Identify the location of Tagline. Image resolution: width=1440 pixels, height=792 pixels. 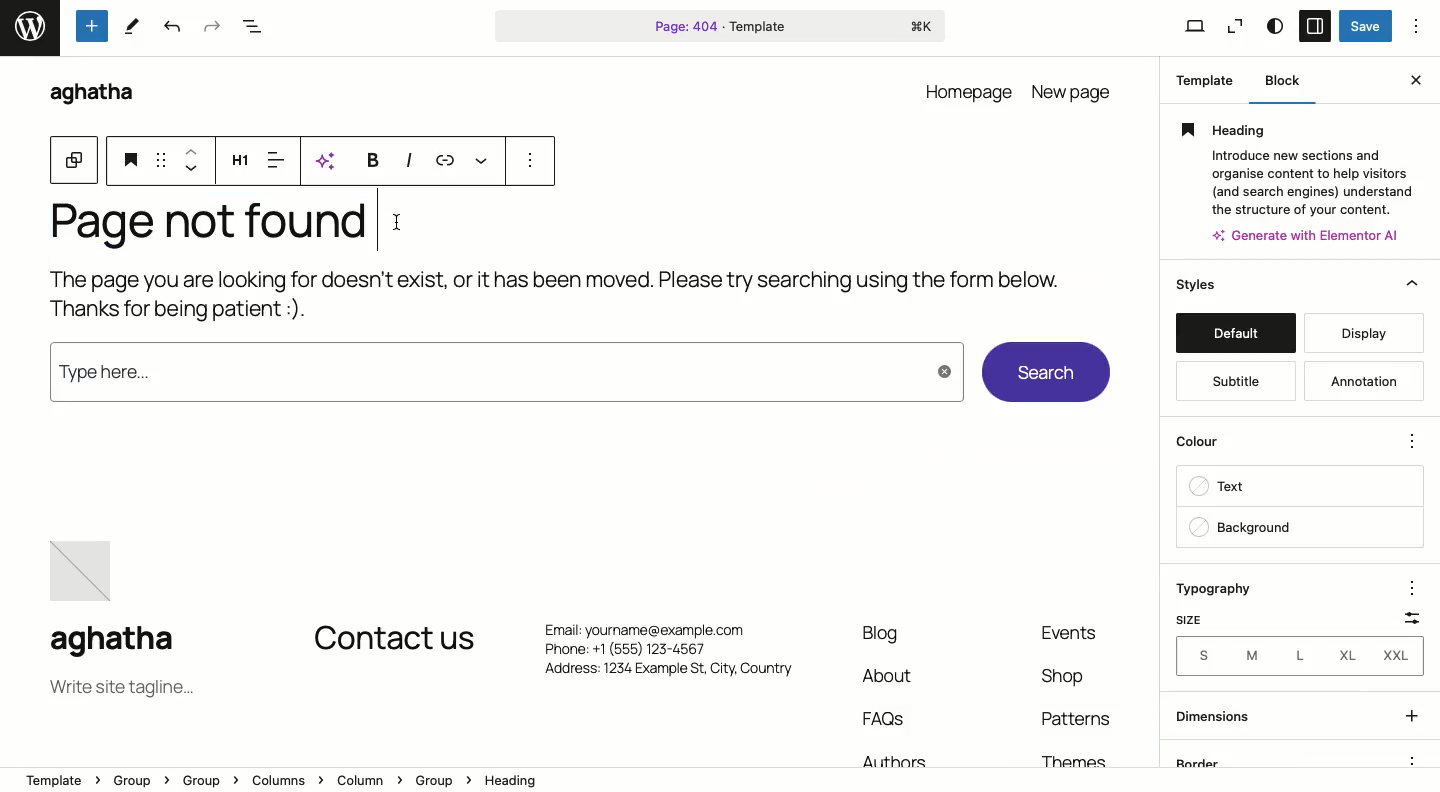
(120, 689).